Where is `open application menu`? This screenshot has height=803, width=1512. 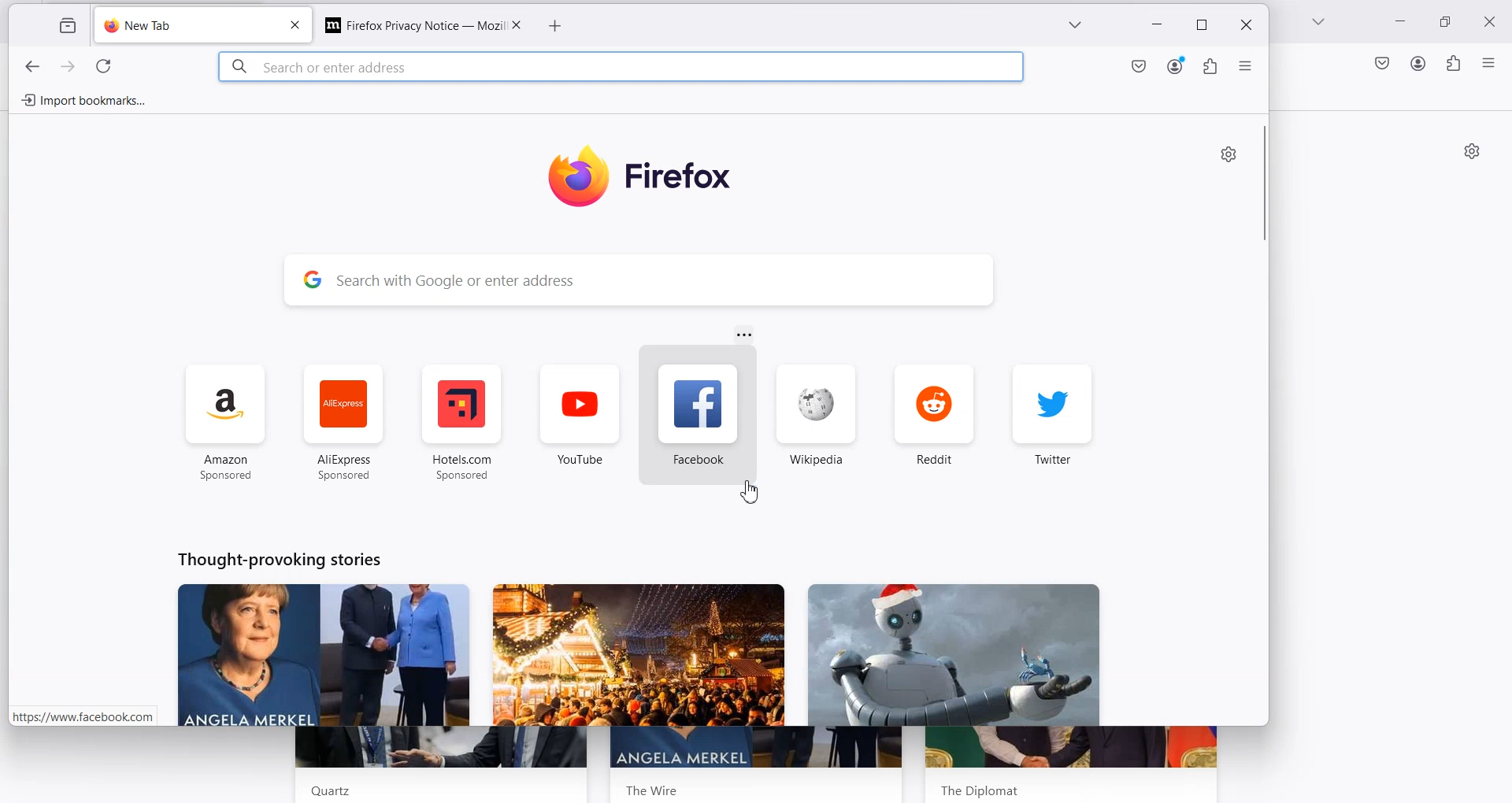
open application menu is located at coordinates (1246, 69).